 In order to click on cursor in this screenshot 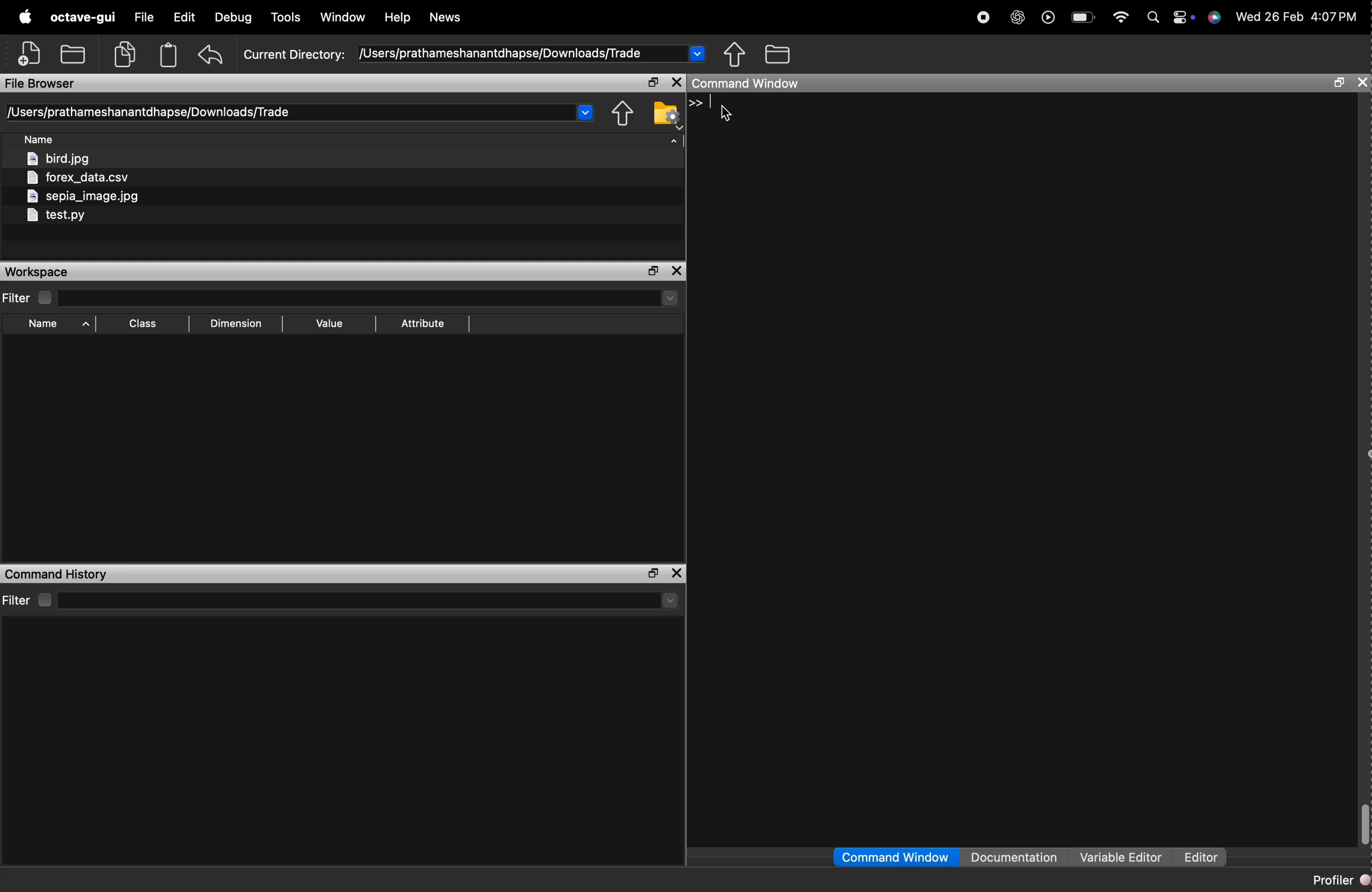, I will do `click(728, 113)`.